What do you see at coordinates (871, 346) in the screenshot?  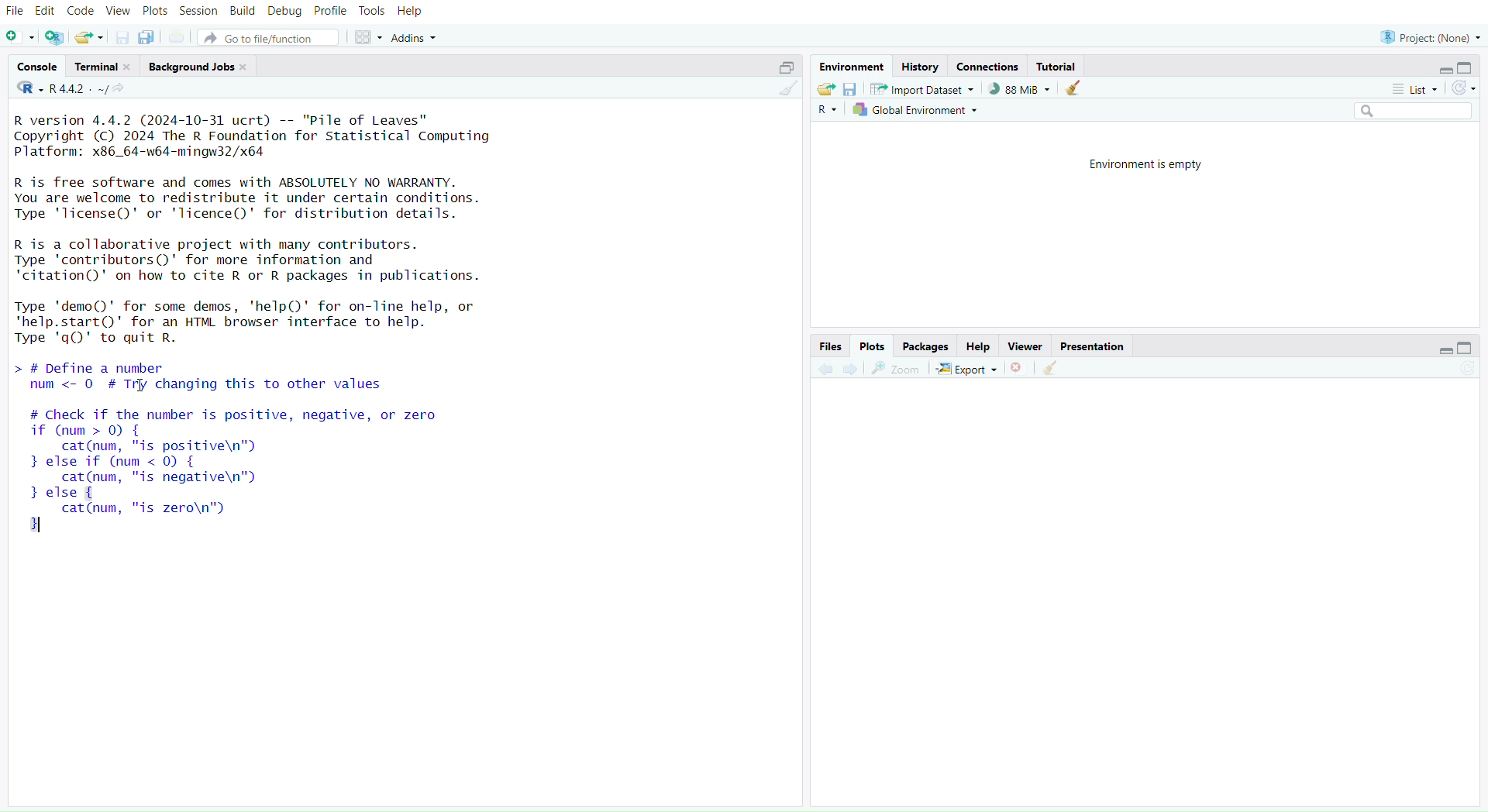 I see `plots` at bounding box center [871, 346].